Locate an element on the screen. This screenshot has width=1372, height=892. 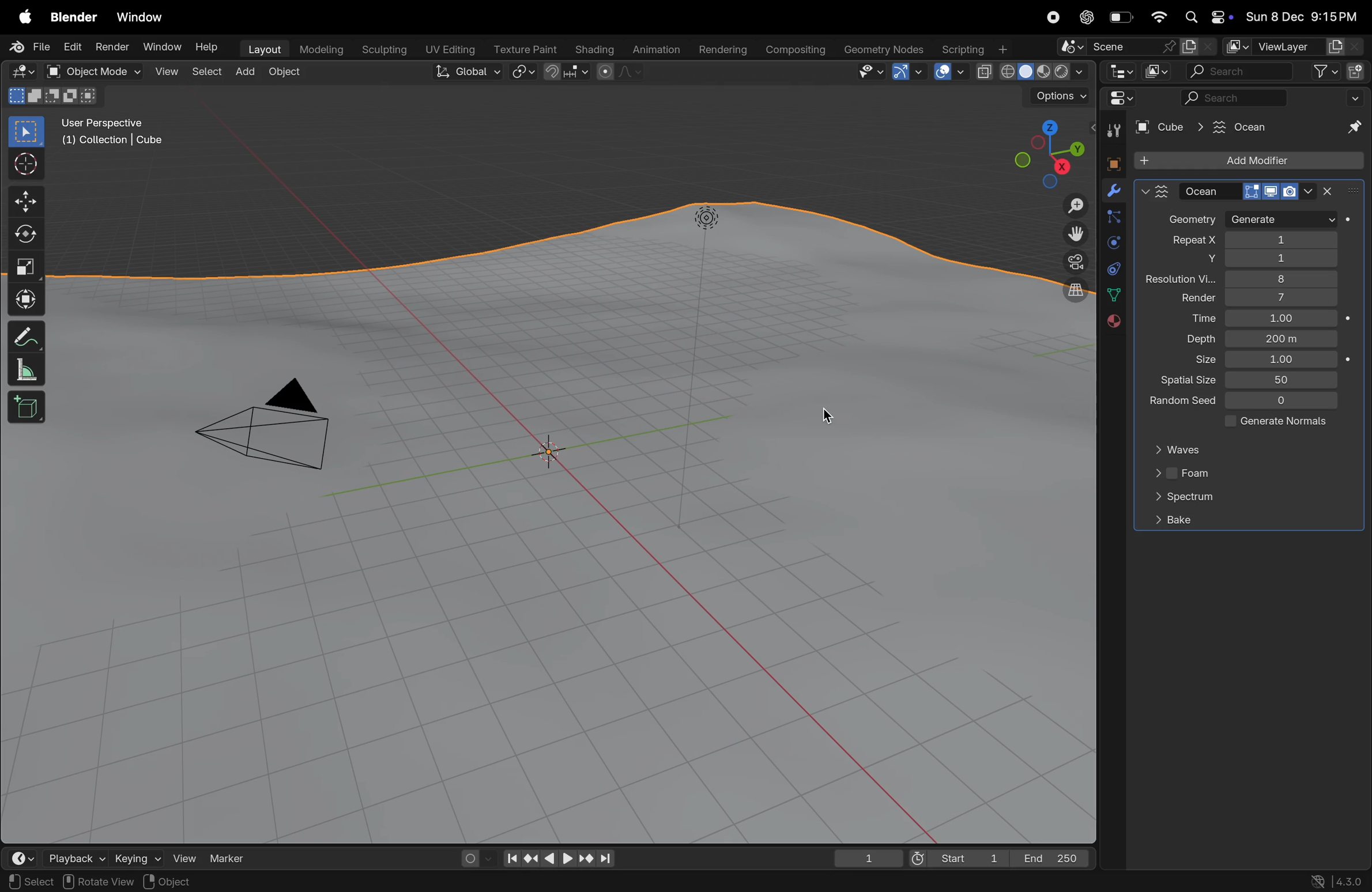
object is located at coordinates (1110, 162).